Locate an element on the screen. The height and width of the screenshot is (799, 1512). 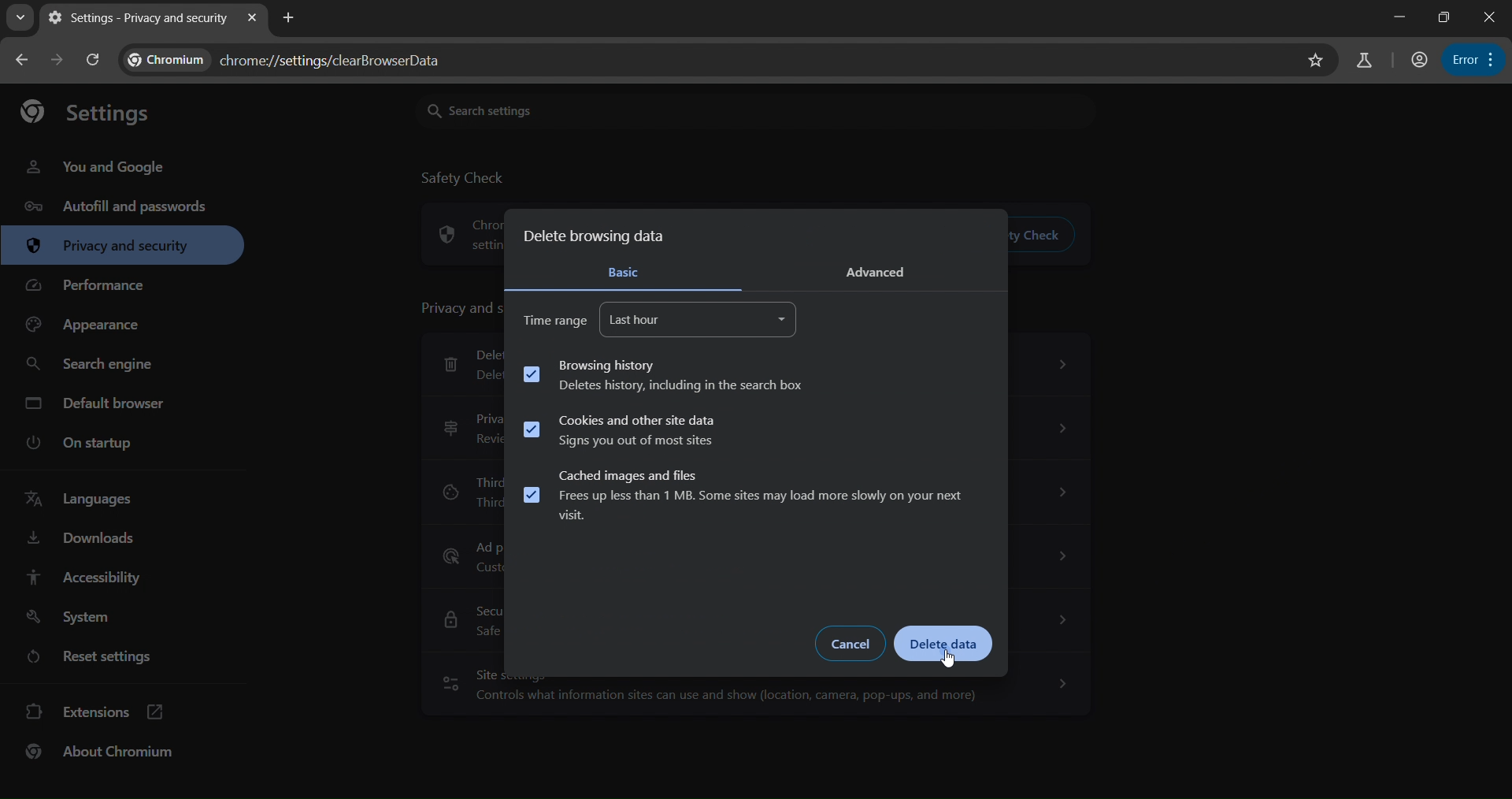
cancel is located at coordinates (851, 643).